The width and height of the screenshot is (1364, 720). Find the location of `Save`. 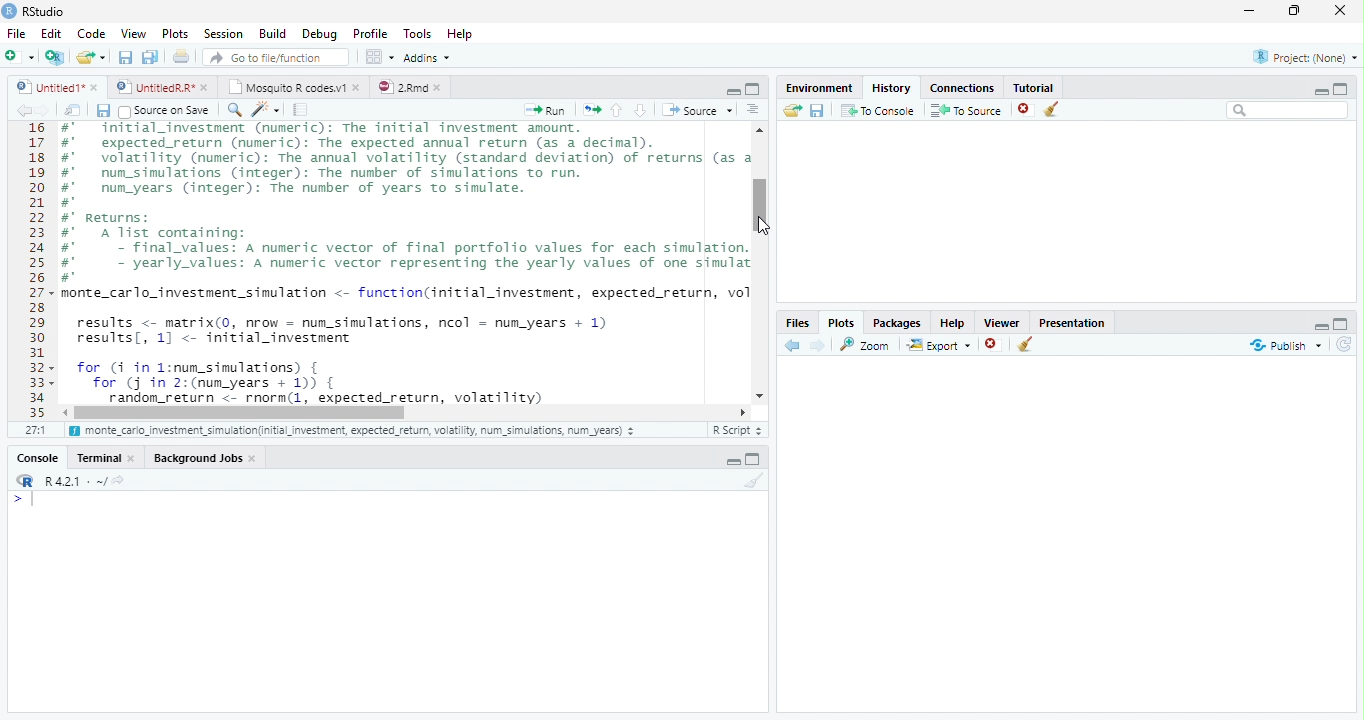

Save is located at coordinates (817, 110).